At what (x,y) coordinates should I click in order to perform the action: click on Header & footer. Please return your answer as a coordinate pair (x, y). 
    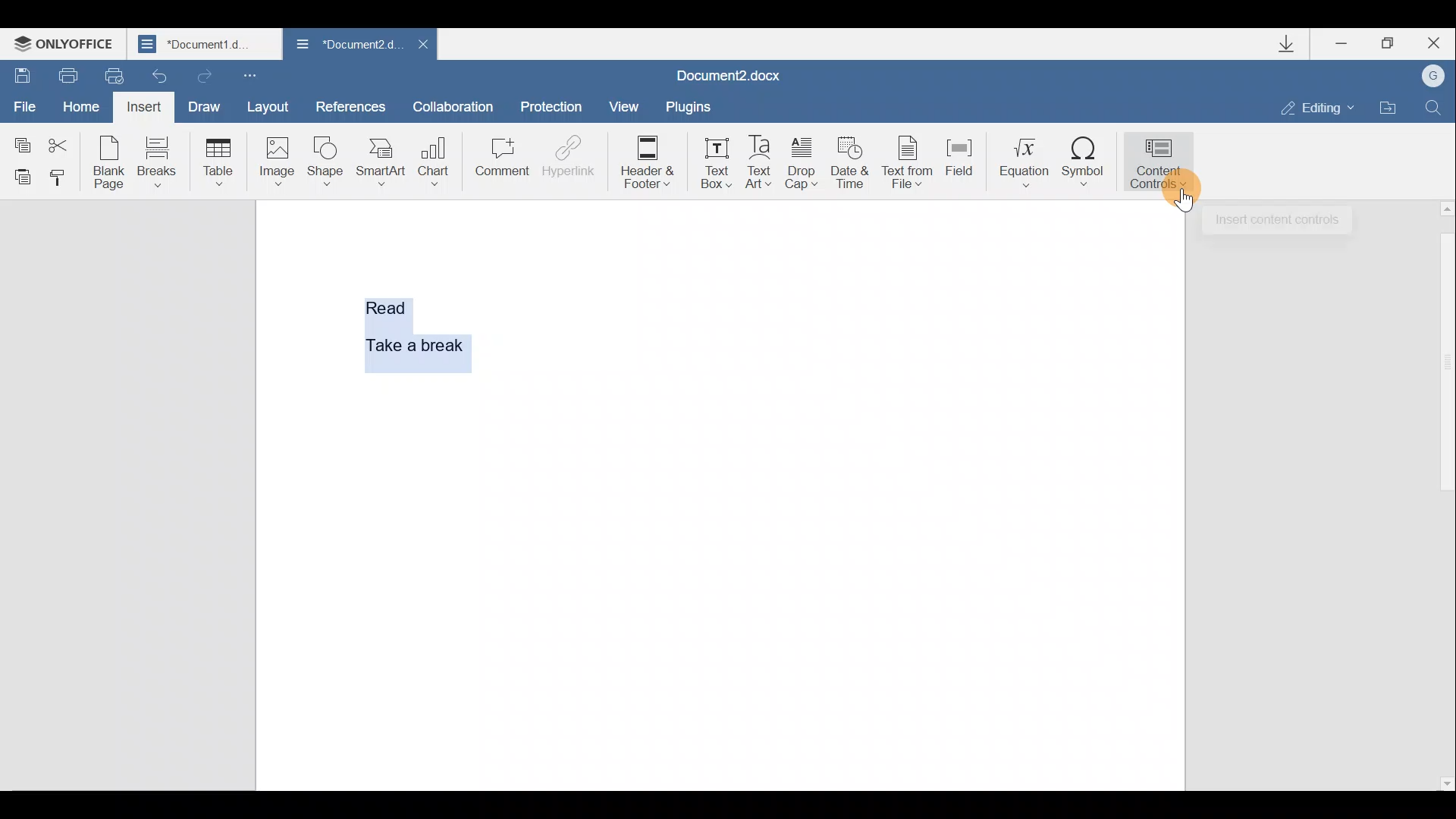
    Looking at the image, I should click on (652, 162).